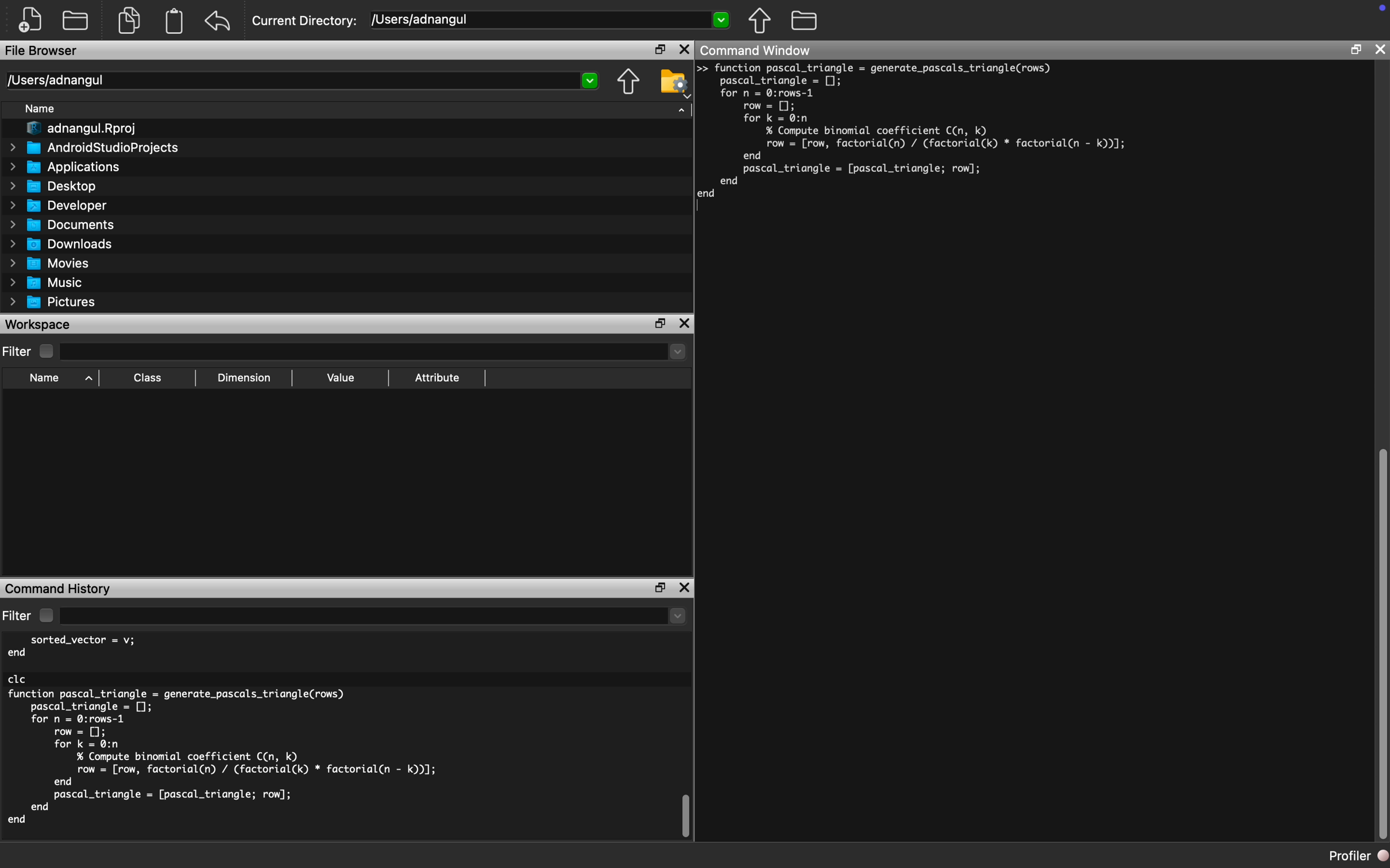 This screenshot has width=1390, height=868. What do you see at coordinates (92, 148) in the screenshot?
I see `AndroidStudioProjects` at bounding box center [92, 148].